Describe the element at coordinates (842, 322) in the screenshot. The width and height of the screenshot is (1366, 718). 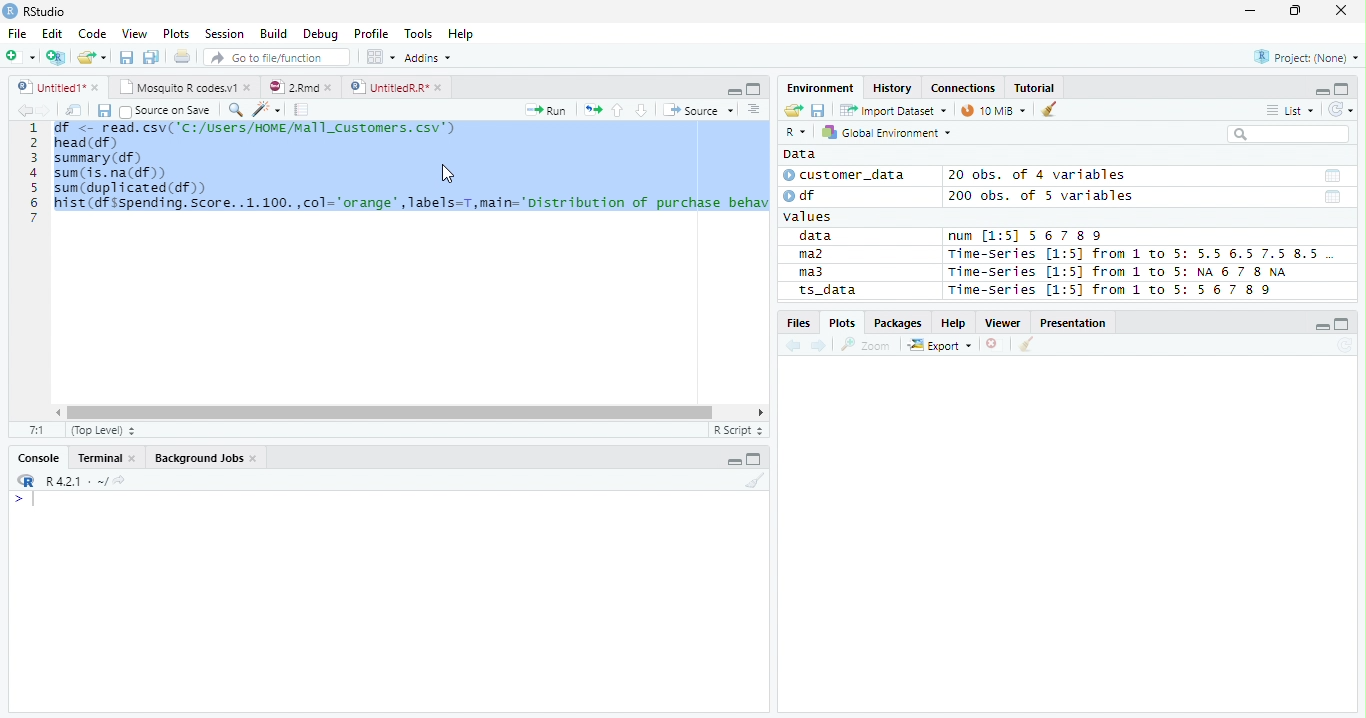
I see `Plots` at that location.